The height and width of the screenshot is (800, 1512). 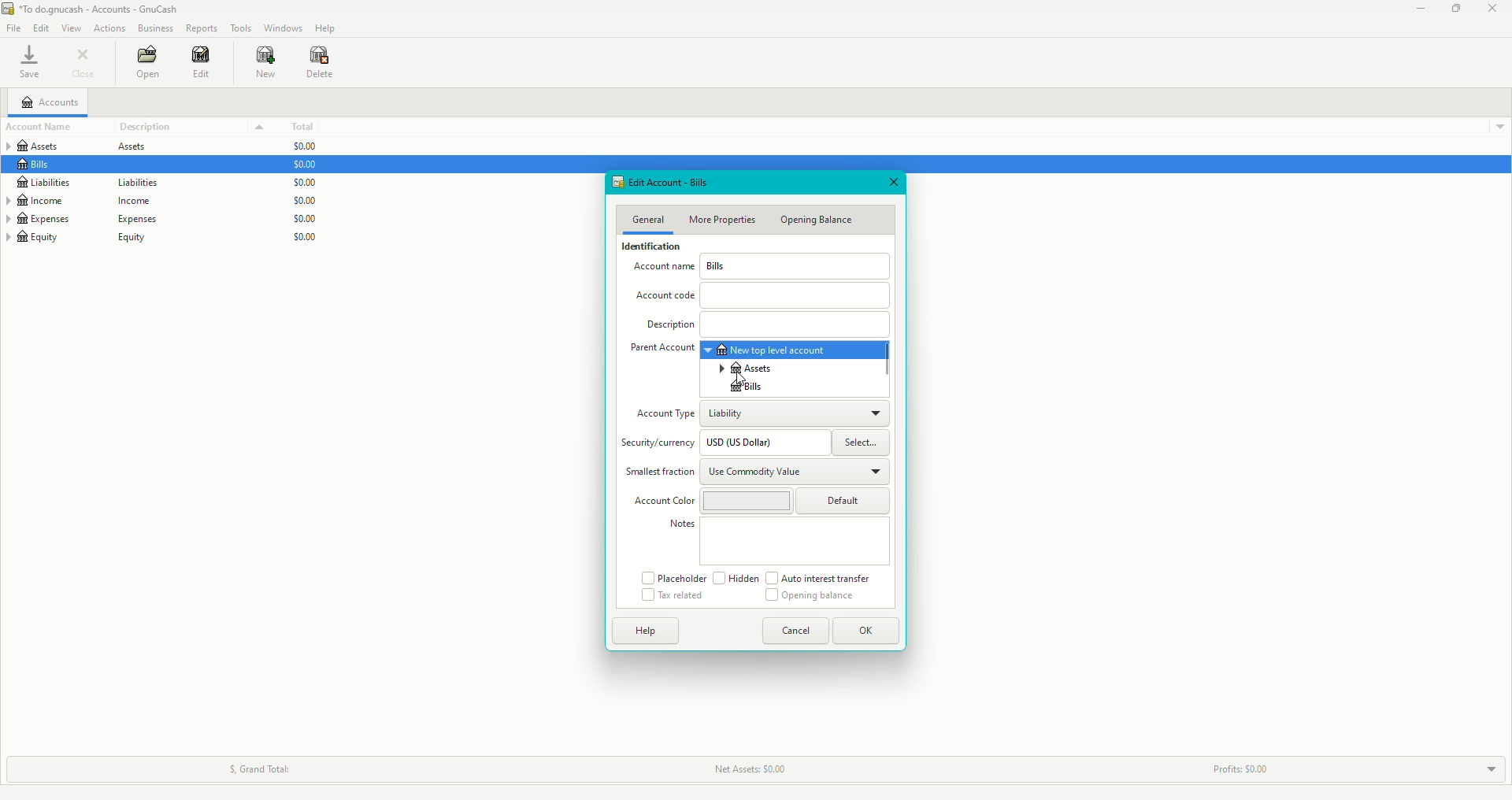 What do you see at coordinates (97, 10) in the screenshot?
I see `GnuCash` at bounding box center [97, 10].